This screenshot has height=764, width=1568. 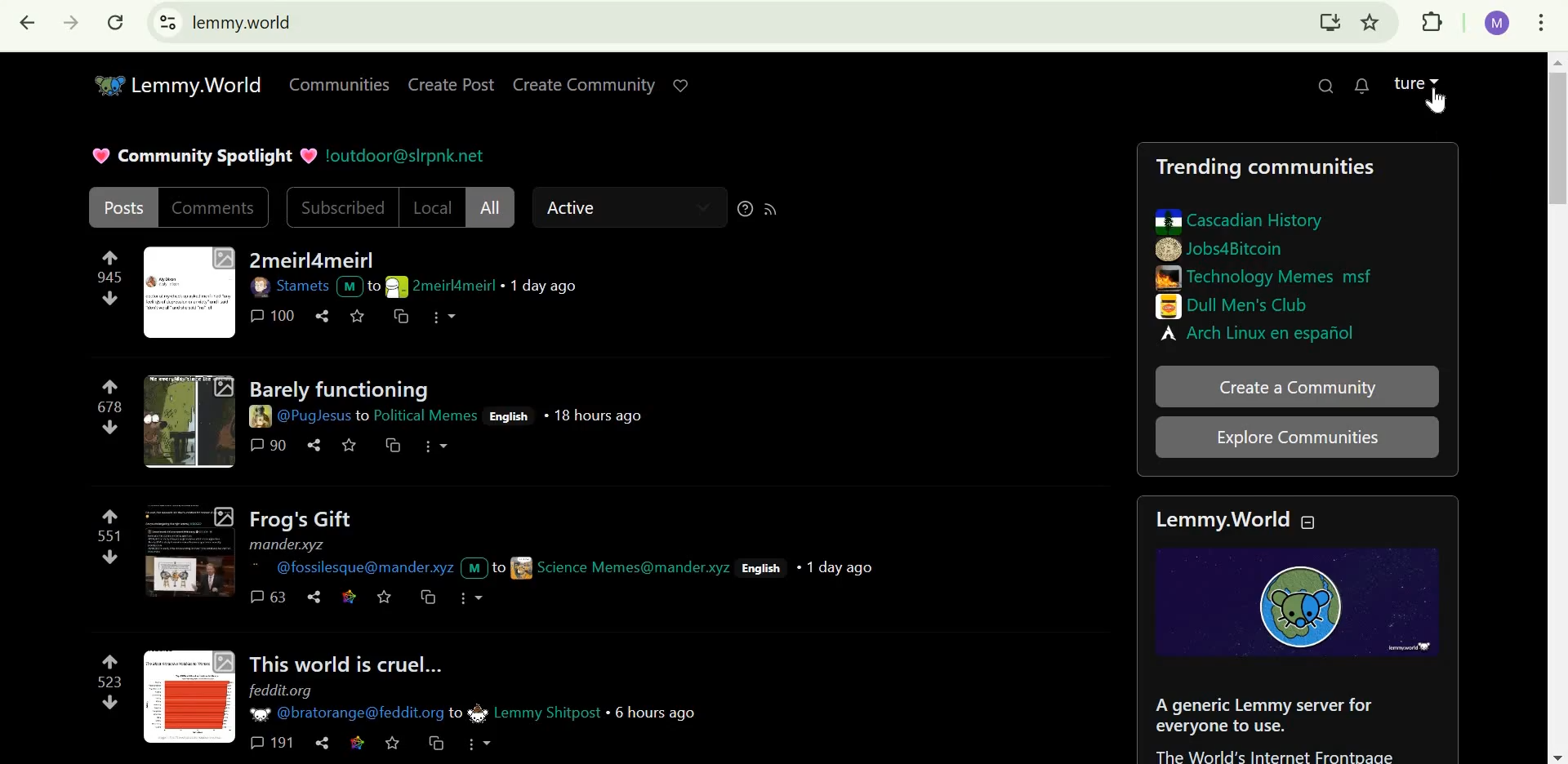 What do you see at coordinates (582, 208) in the screenshot?
I see `Active` at bounding box center [582, 208].